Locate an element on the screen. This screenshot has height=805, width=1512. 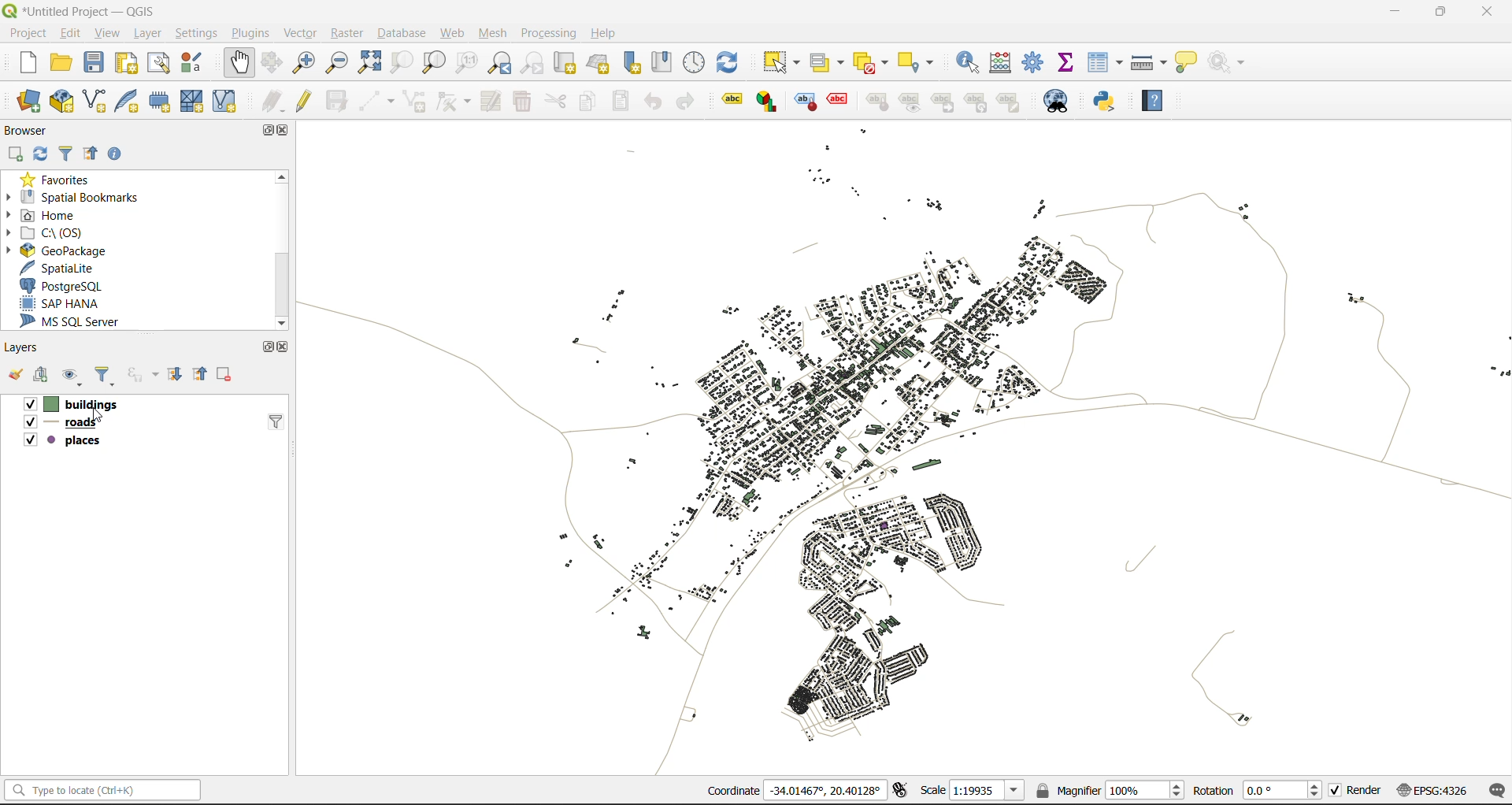
new map view is located at coordinates (566, 65).